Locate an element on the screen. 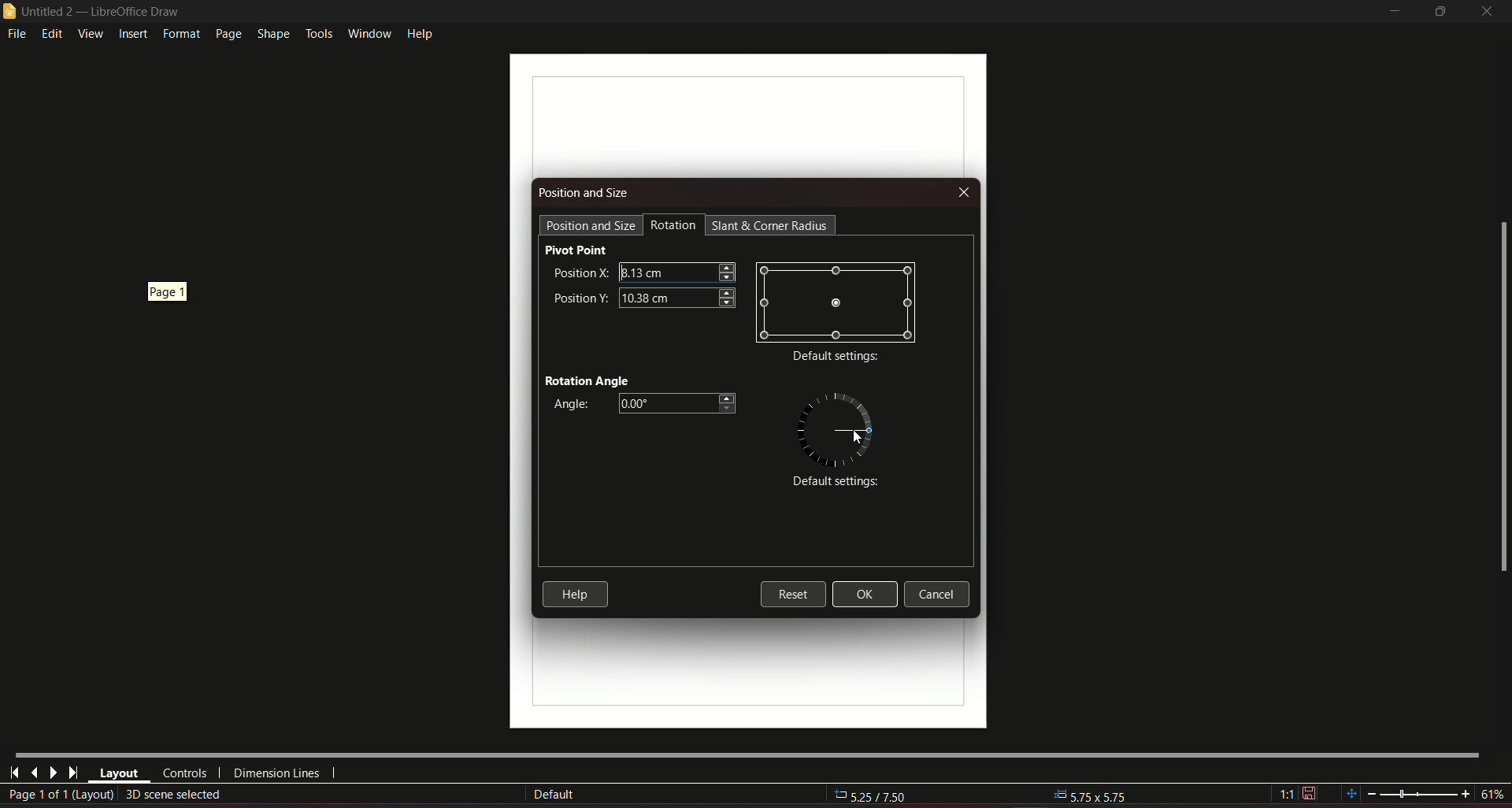 The width and height of the screenshot is (1512, 808). view is located at coordinates (90, 33).